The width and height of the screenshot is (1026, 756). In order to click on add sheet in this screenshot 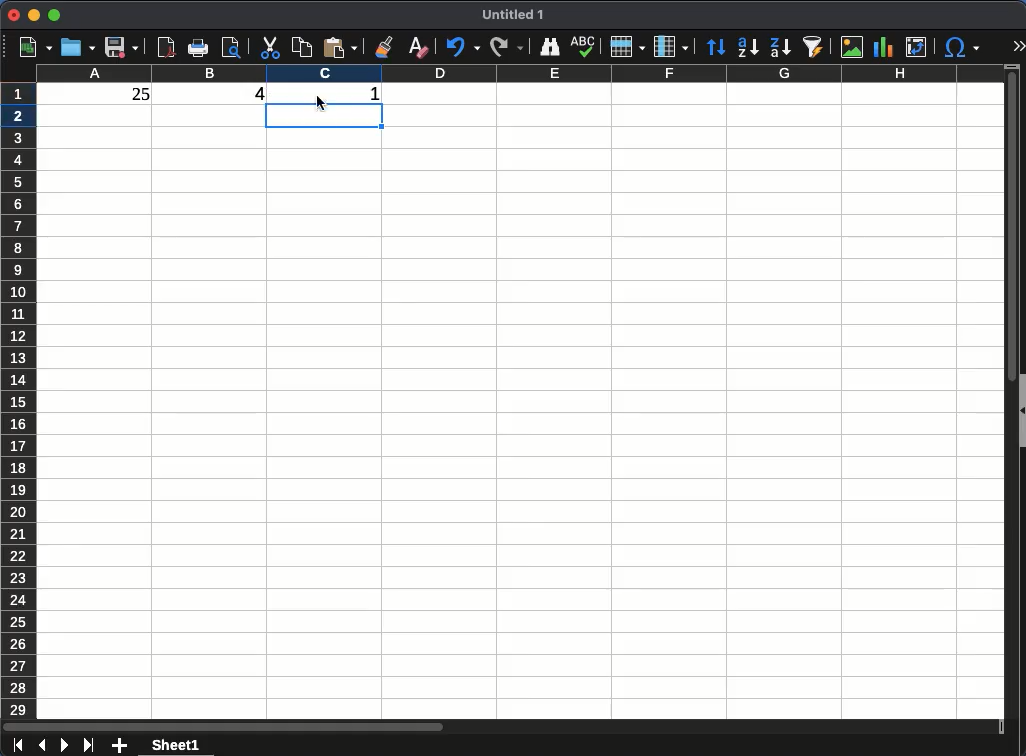, I will do `click(121, 745)`.